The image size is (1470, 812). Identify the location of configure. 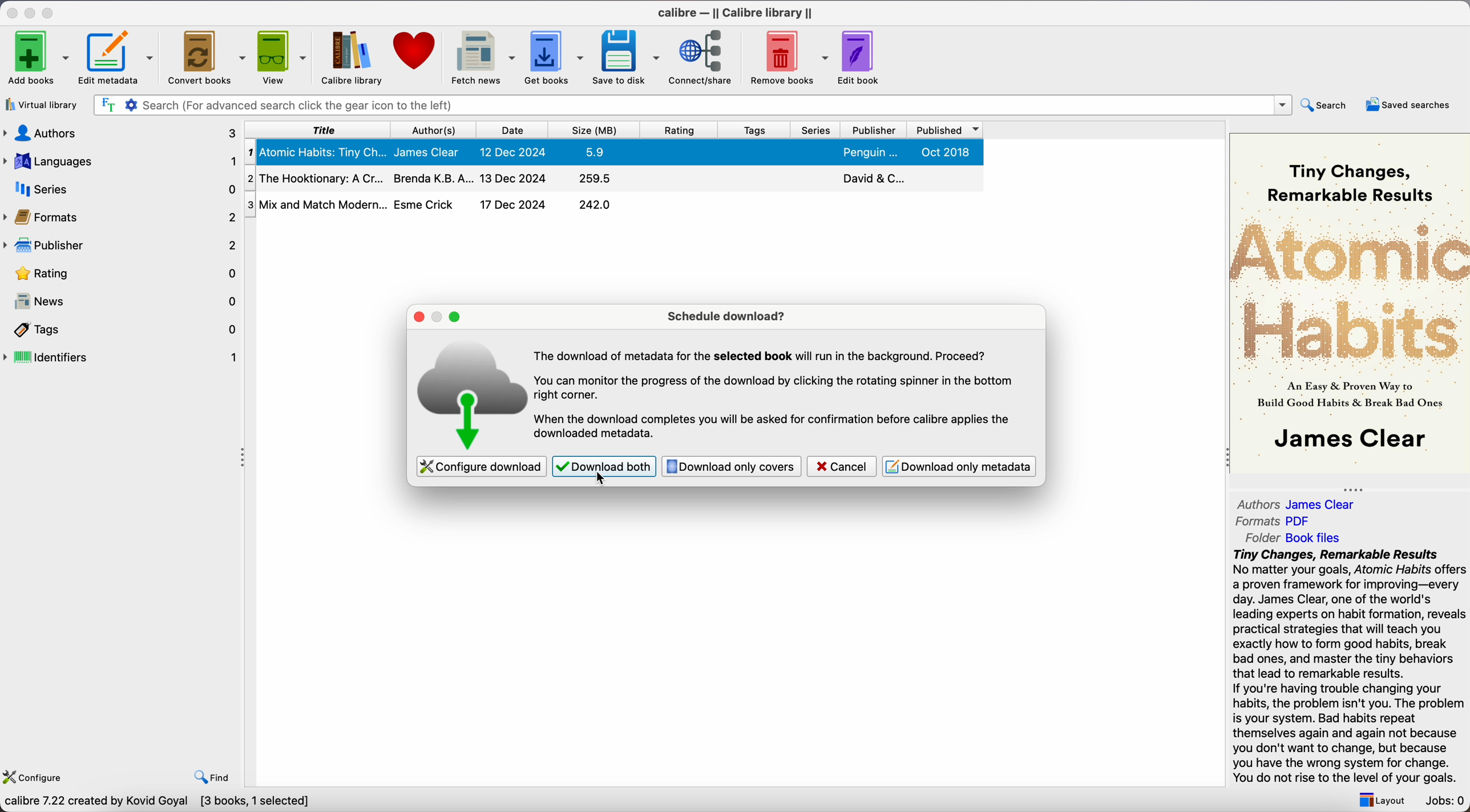
(33, 776).